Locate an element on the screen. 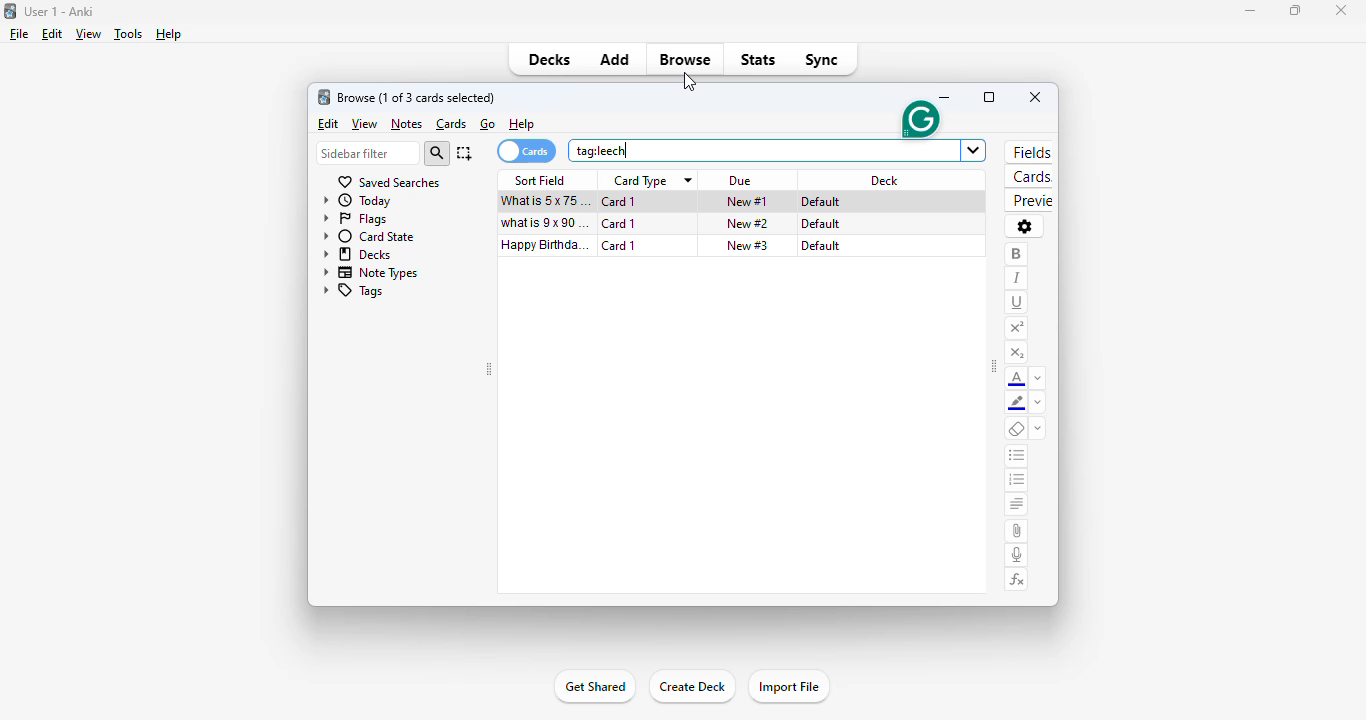 The height and width of the screenshot is (720, 1366). grammarly extension is located at coordinates (919, 119).